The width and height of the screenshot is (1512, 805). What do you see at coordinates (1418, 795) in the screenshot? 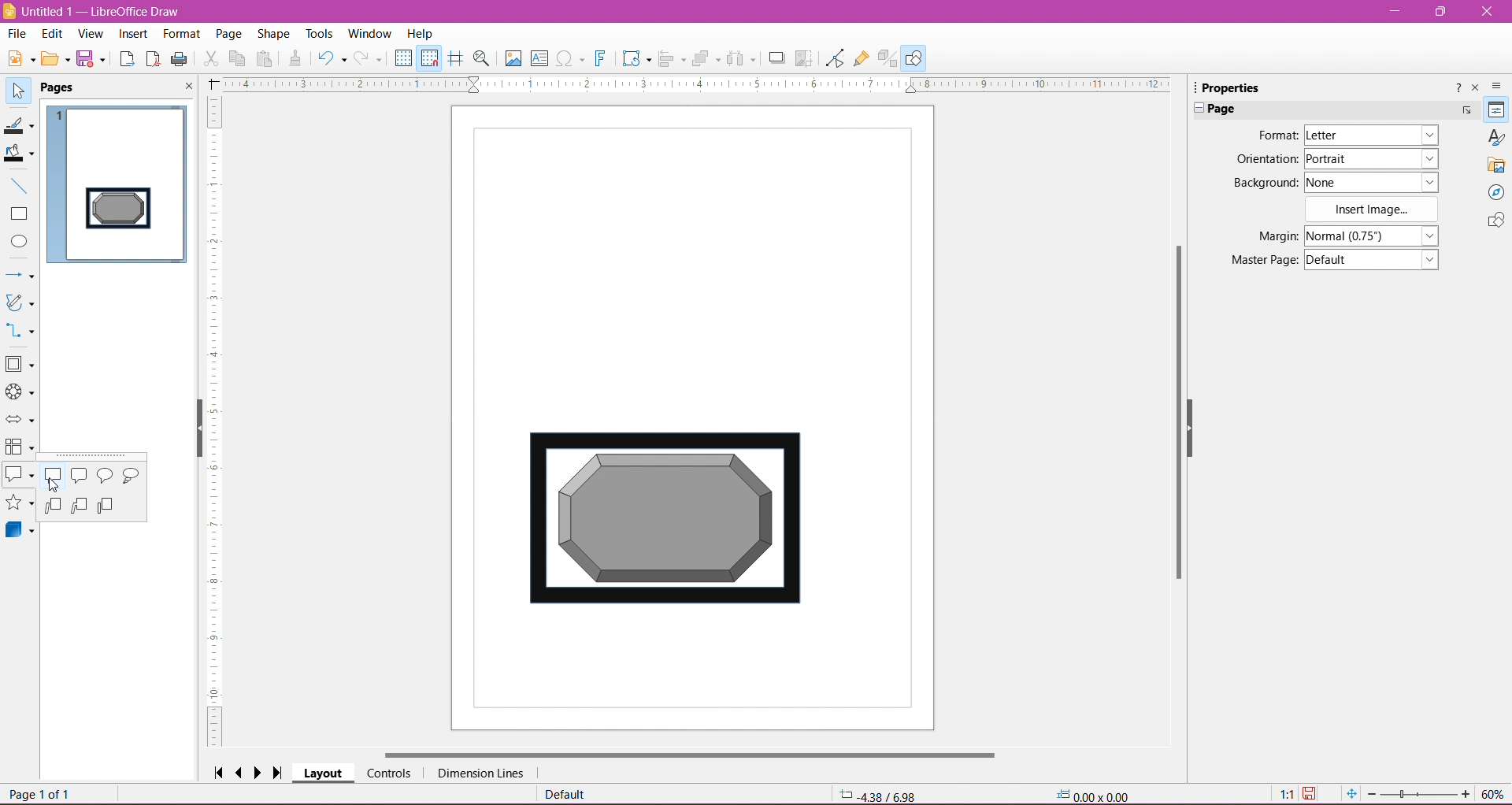
I see `slider` at bounding box center [1418, 795].